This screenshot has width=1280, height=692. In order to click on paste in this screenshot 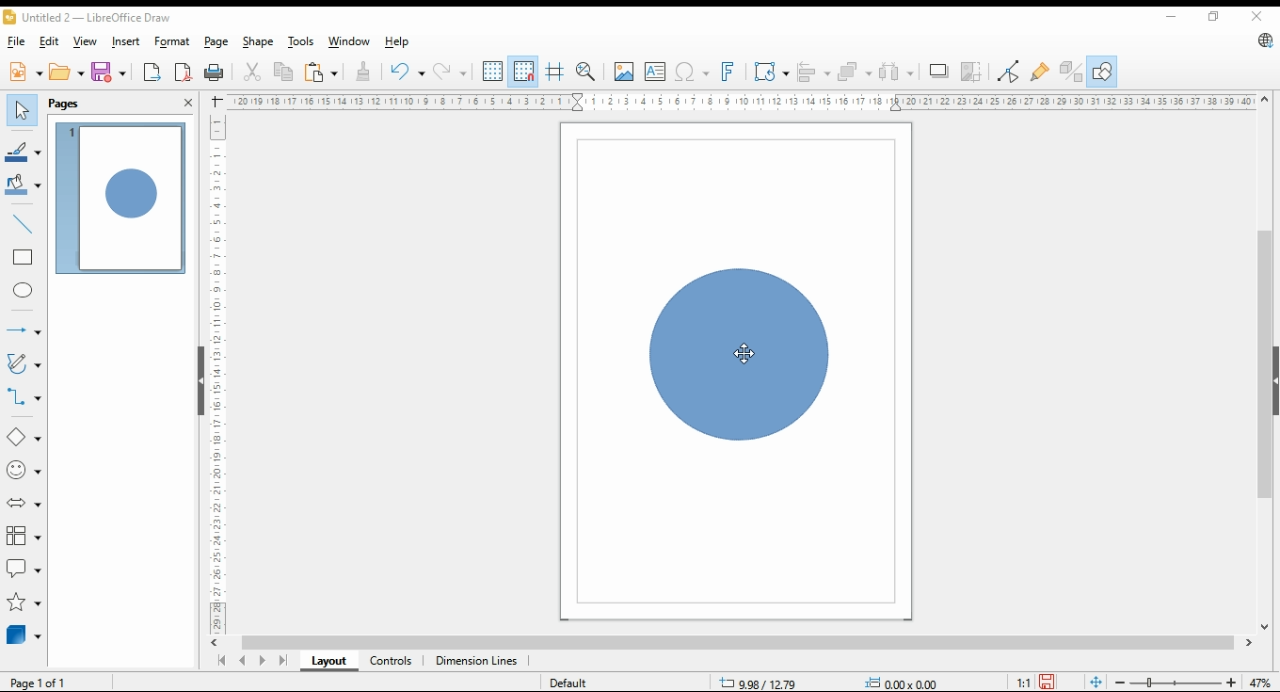, I will do `click(321, 73)`.